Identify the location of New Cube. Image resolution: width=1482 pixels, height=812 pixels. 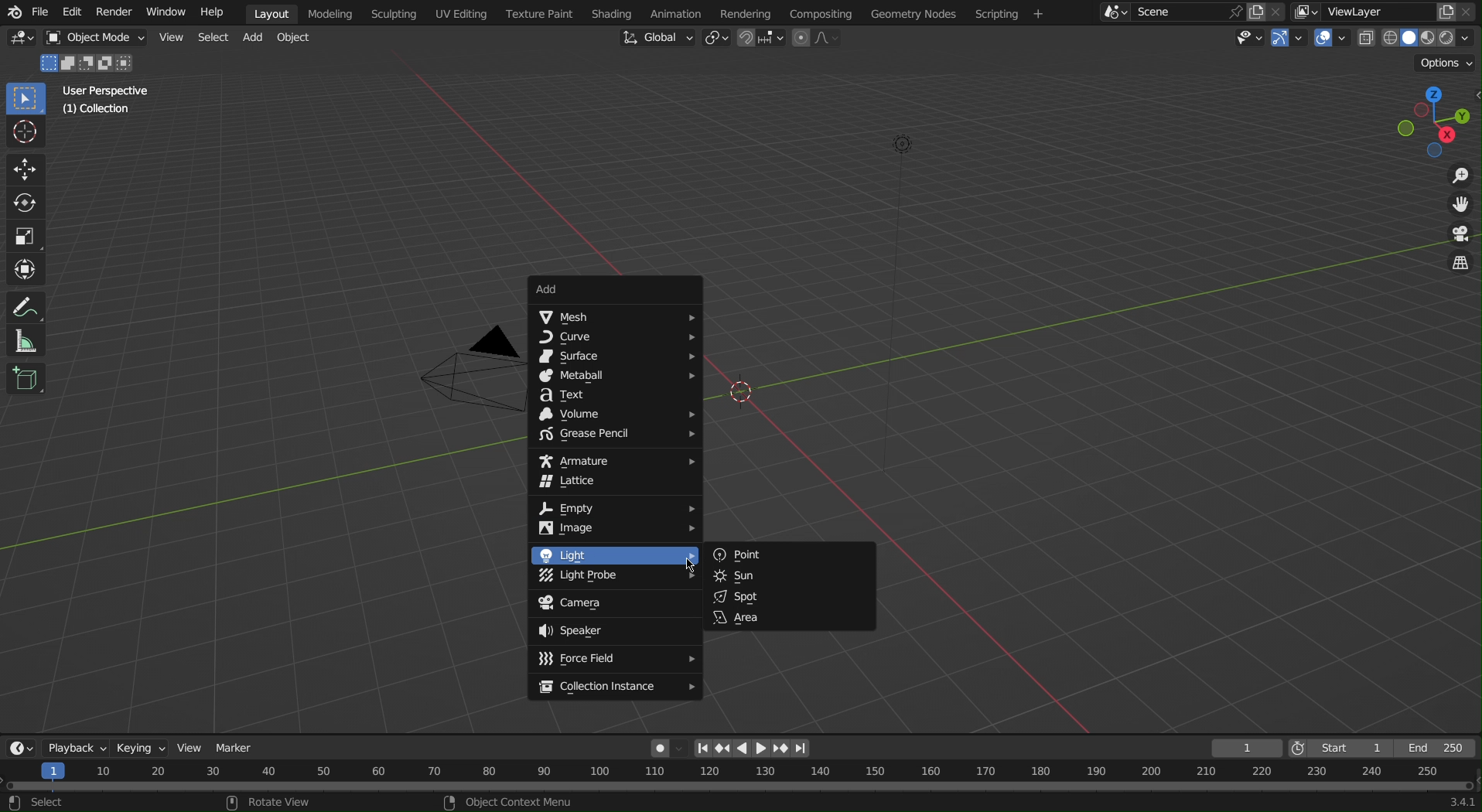
(26, 377).